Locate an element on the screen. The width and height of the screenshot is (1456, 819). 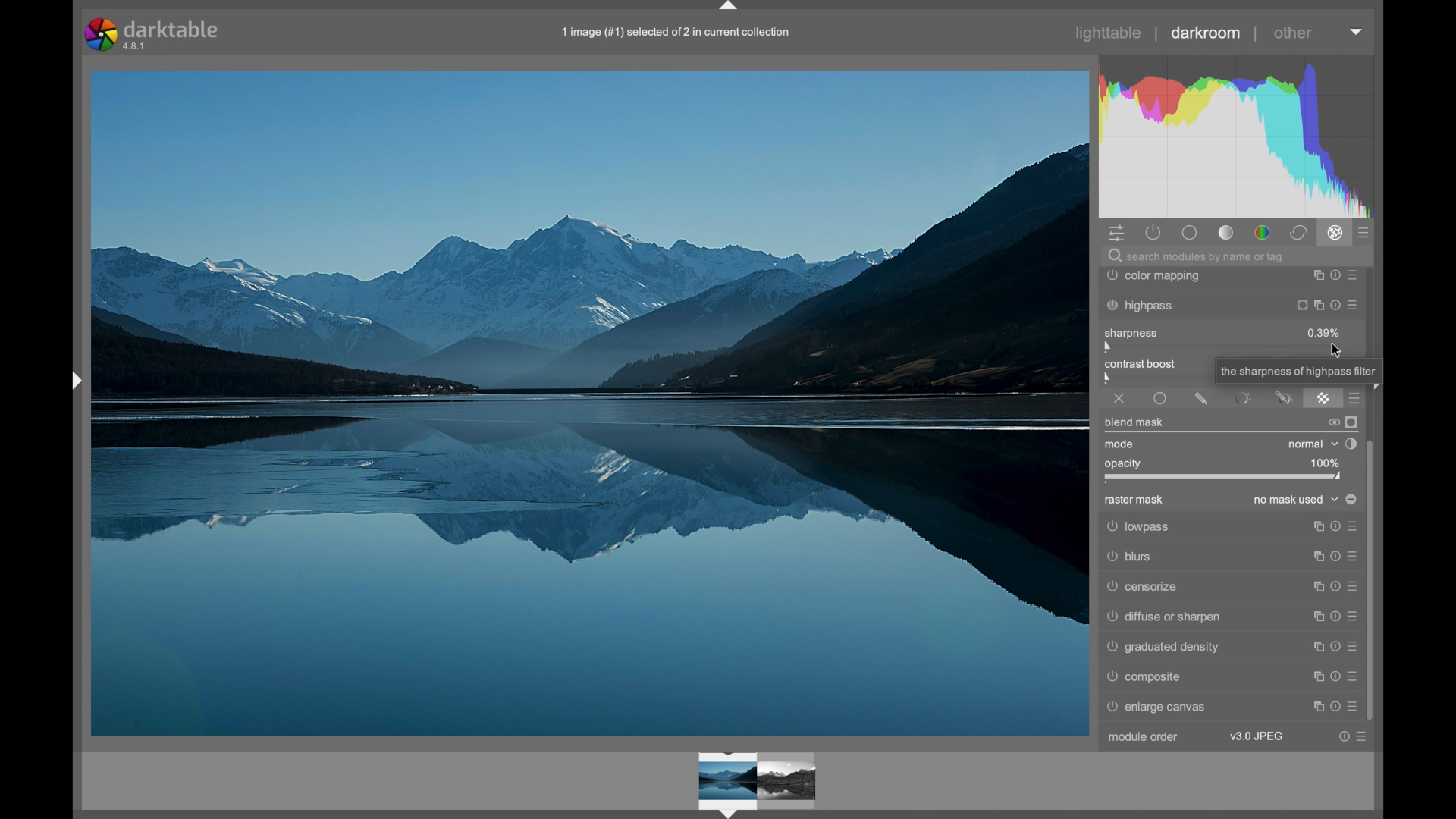
tool tip is located at coordinates (1300, 372).